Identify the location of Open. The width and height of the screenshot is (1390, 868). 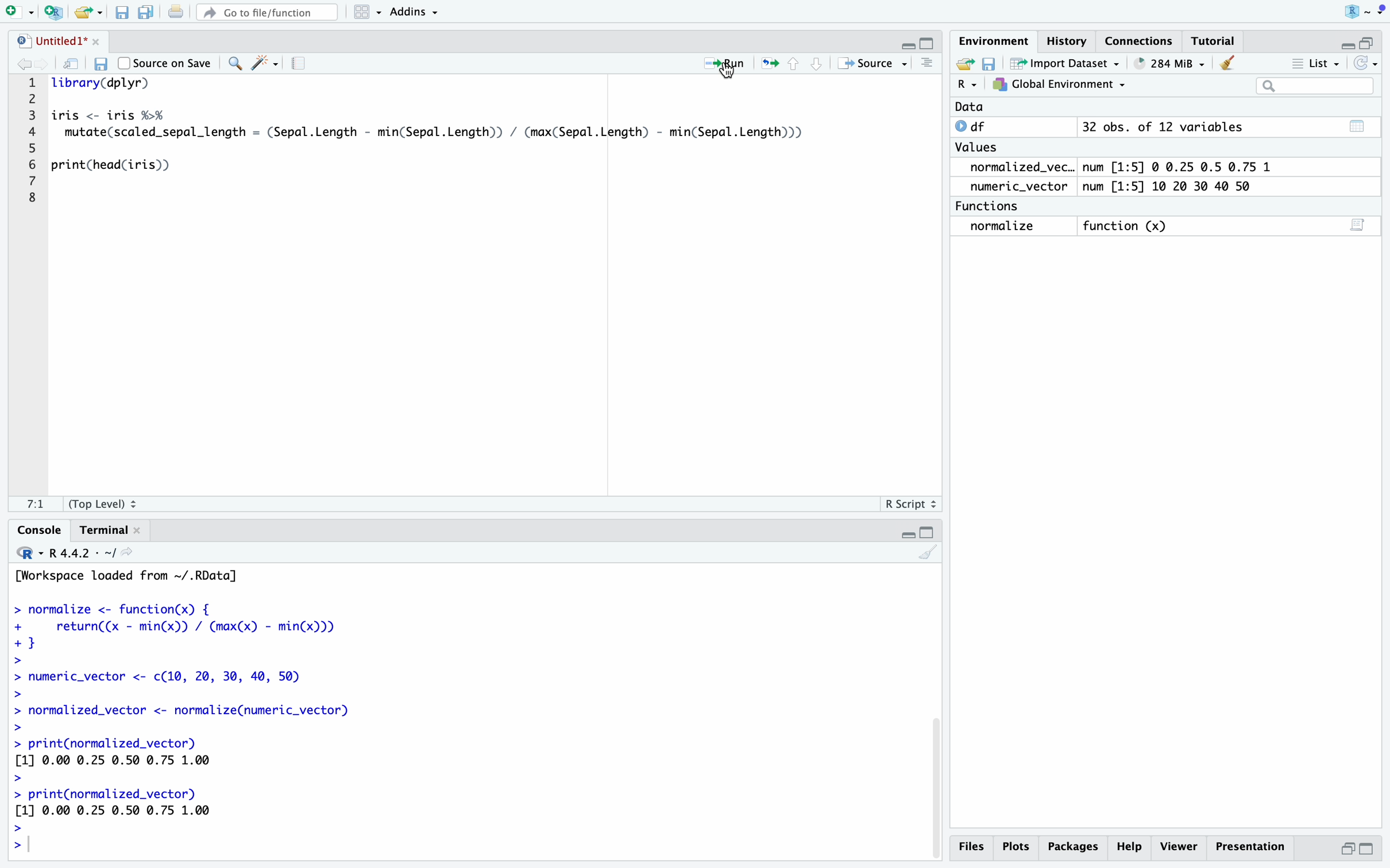
(963, 63).